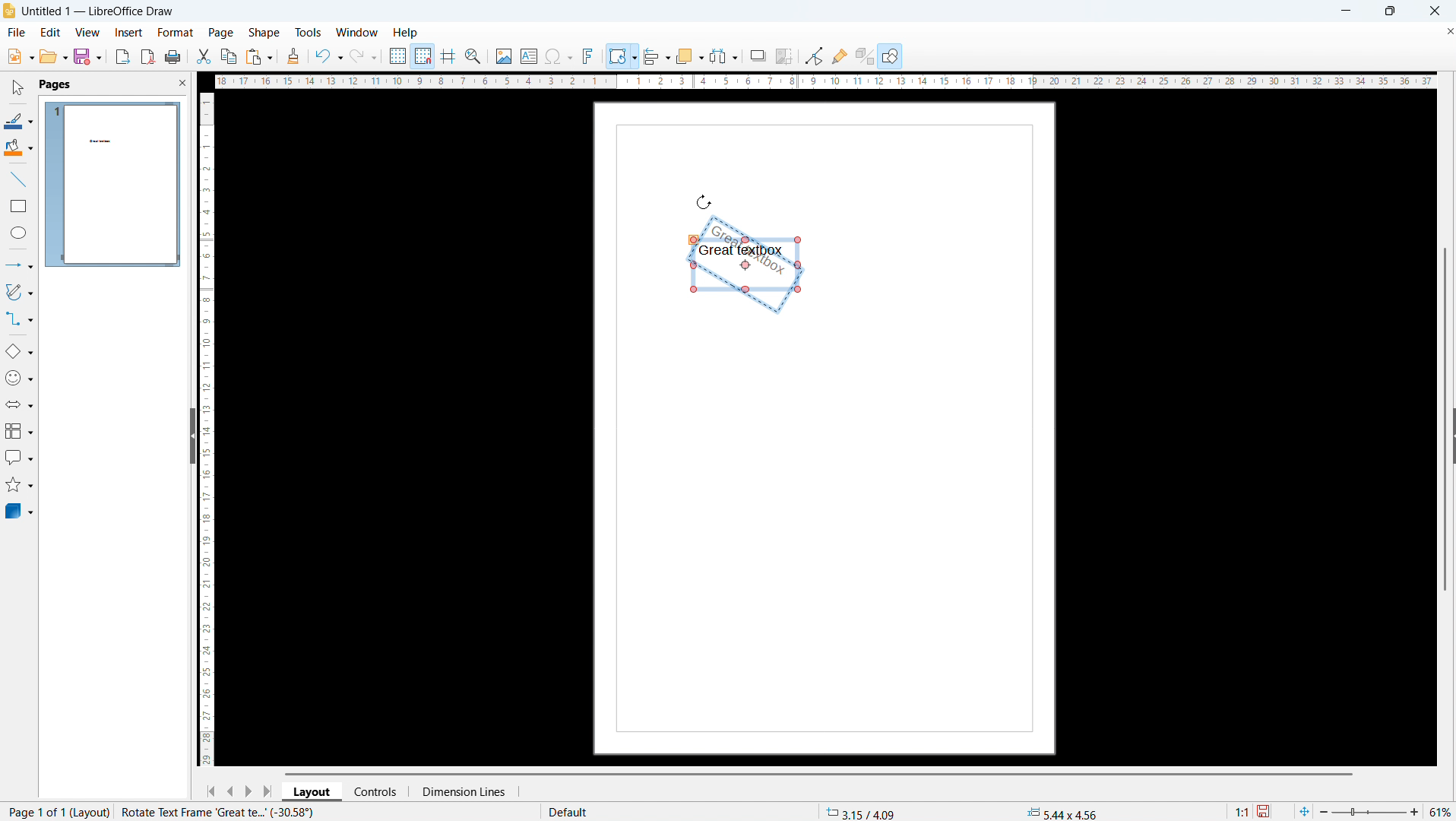 This screenshot has height=821, width=1456. Describe the element at coordinates (147, 56) in the screenshot. I see `export as pdf` at that location.